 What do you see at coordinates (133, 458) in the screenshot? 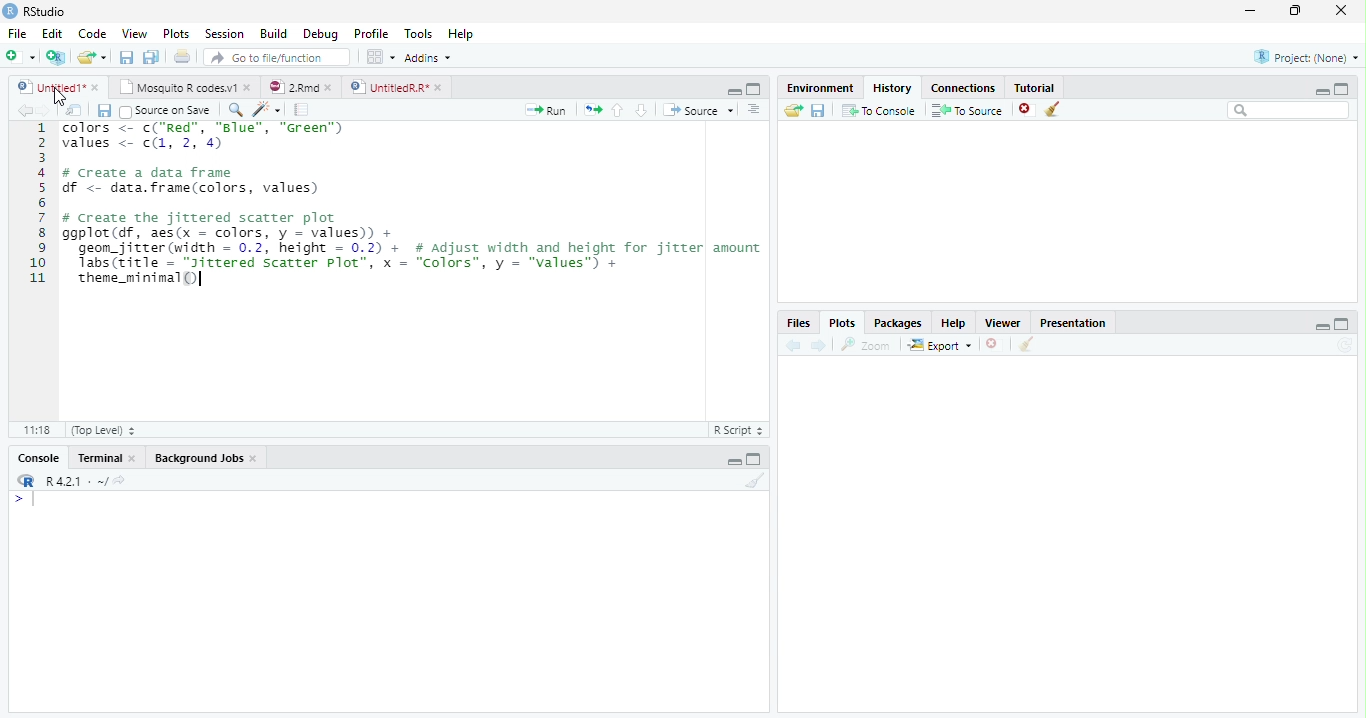
I see `close` at bounding box center [133, 458].